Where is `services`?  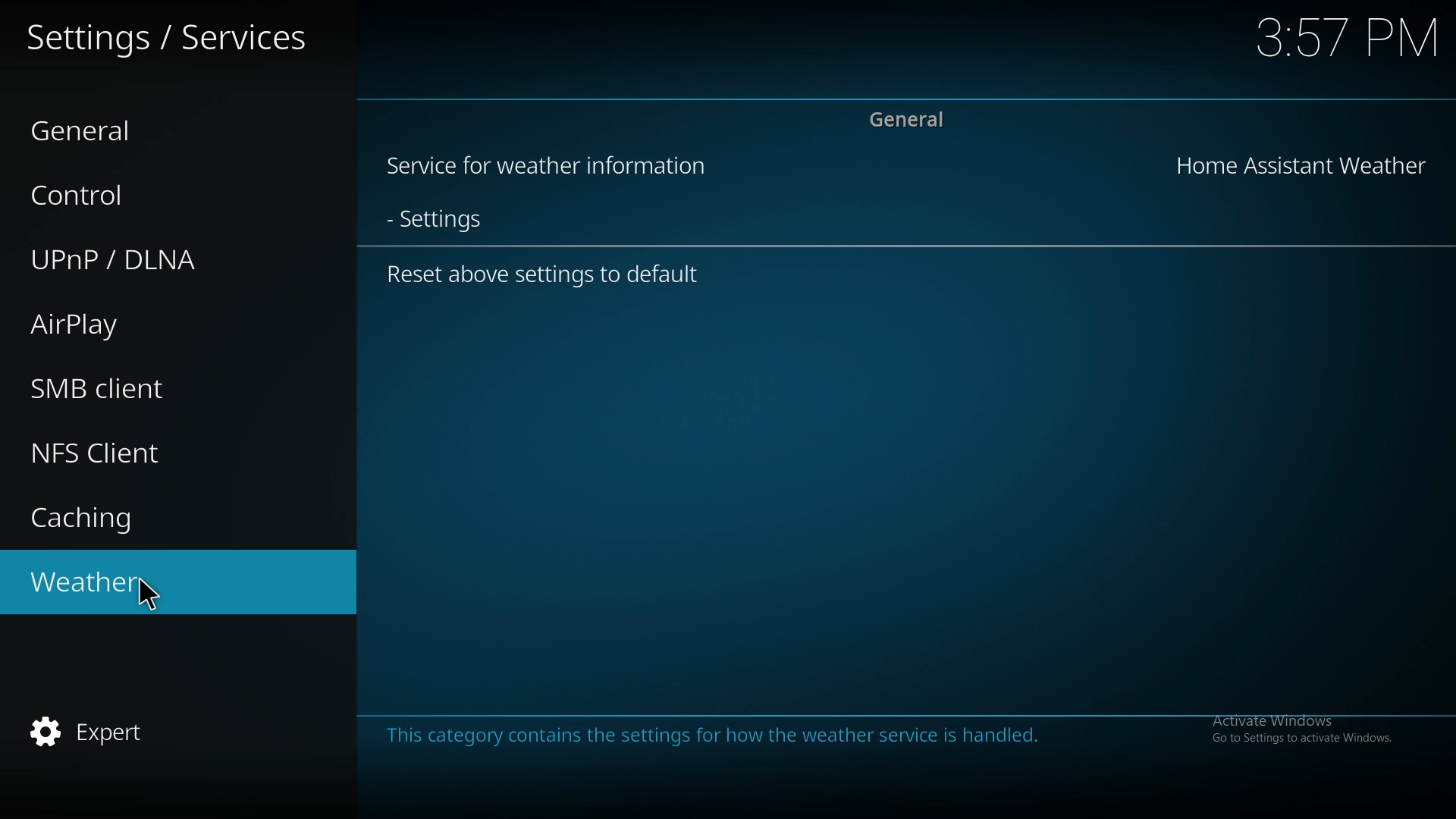
services is located at coordinates (170, 35).